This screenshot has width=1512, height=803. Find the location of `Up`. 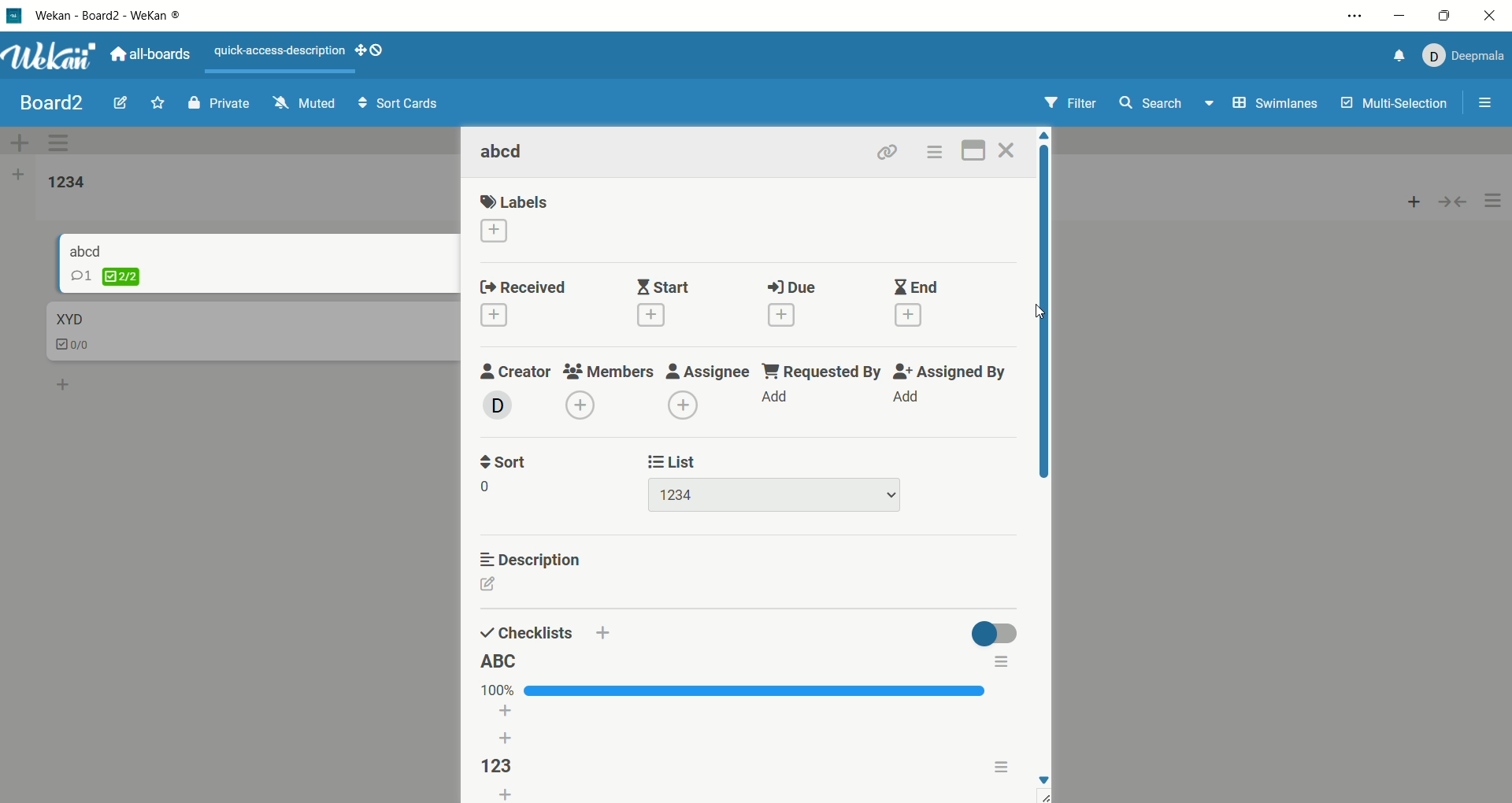

Up is located at coordinates (1049, 137).